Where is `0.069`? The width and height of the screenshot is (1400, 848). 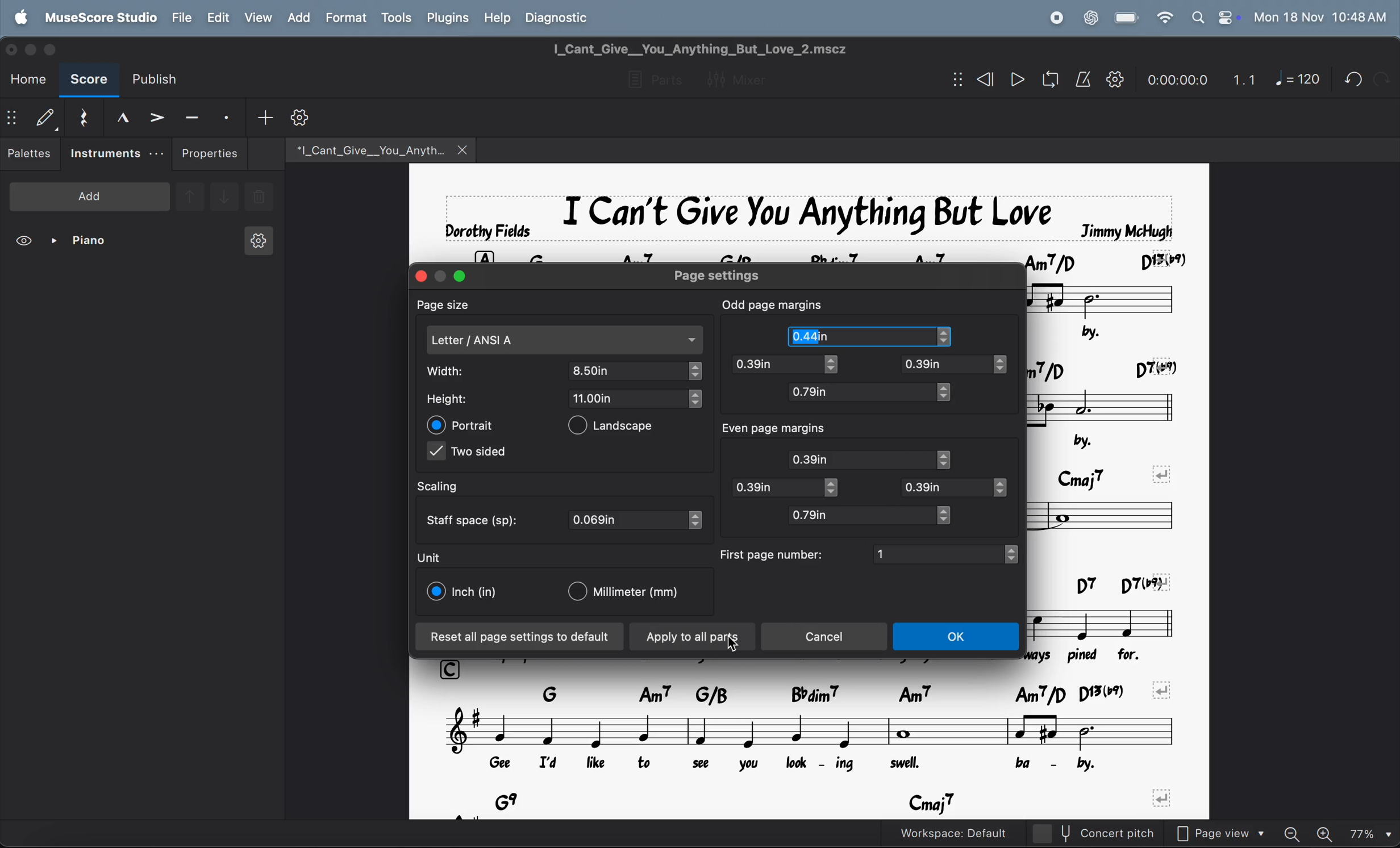
0.069 is located at coordinates (628, 520).